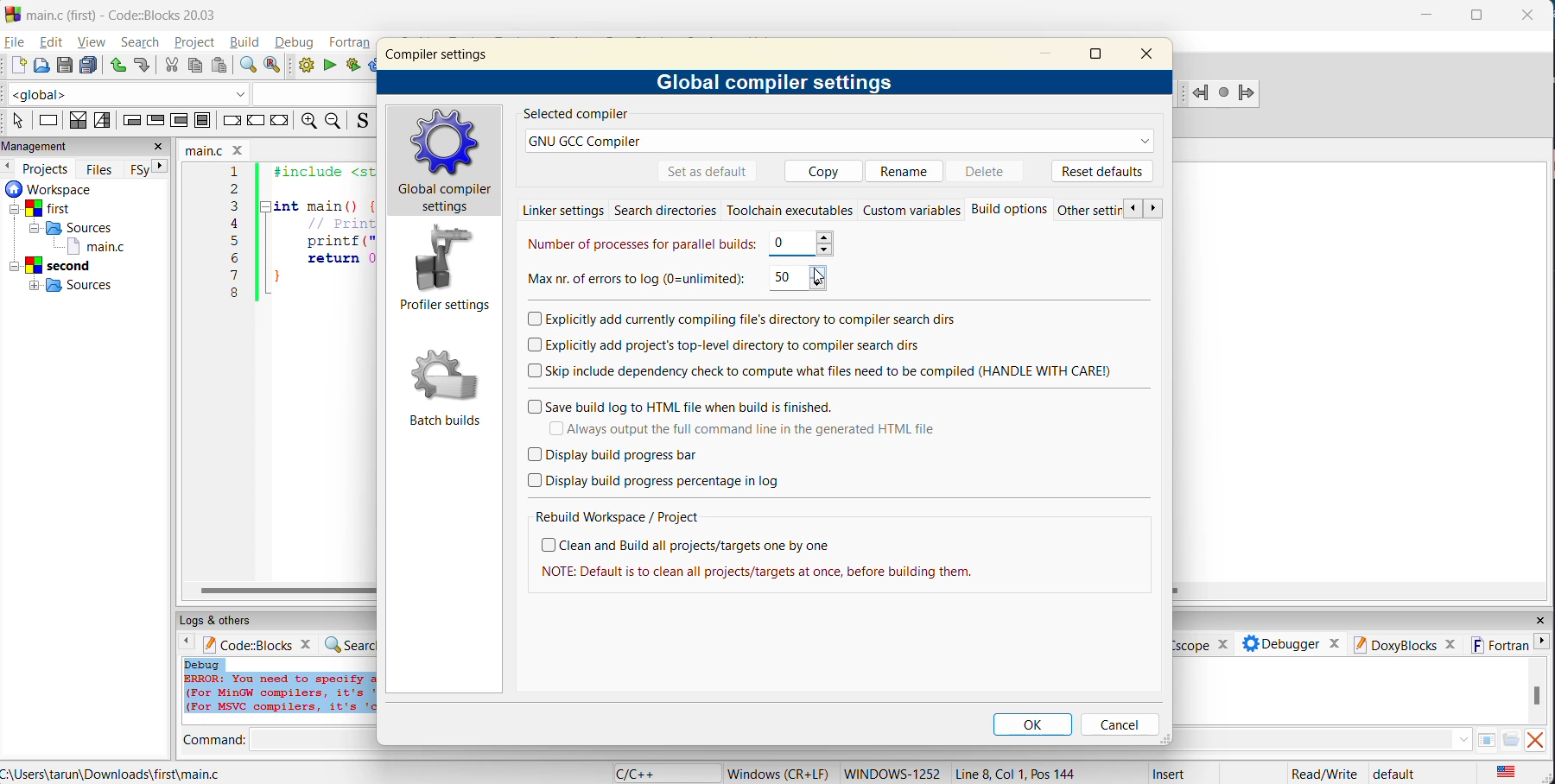  I want to click on Build options, so click(1010, 209).